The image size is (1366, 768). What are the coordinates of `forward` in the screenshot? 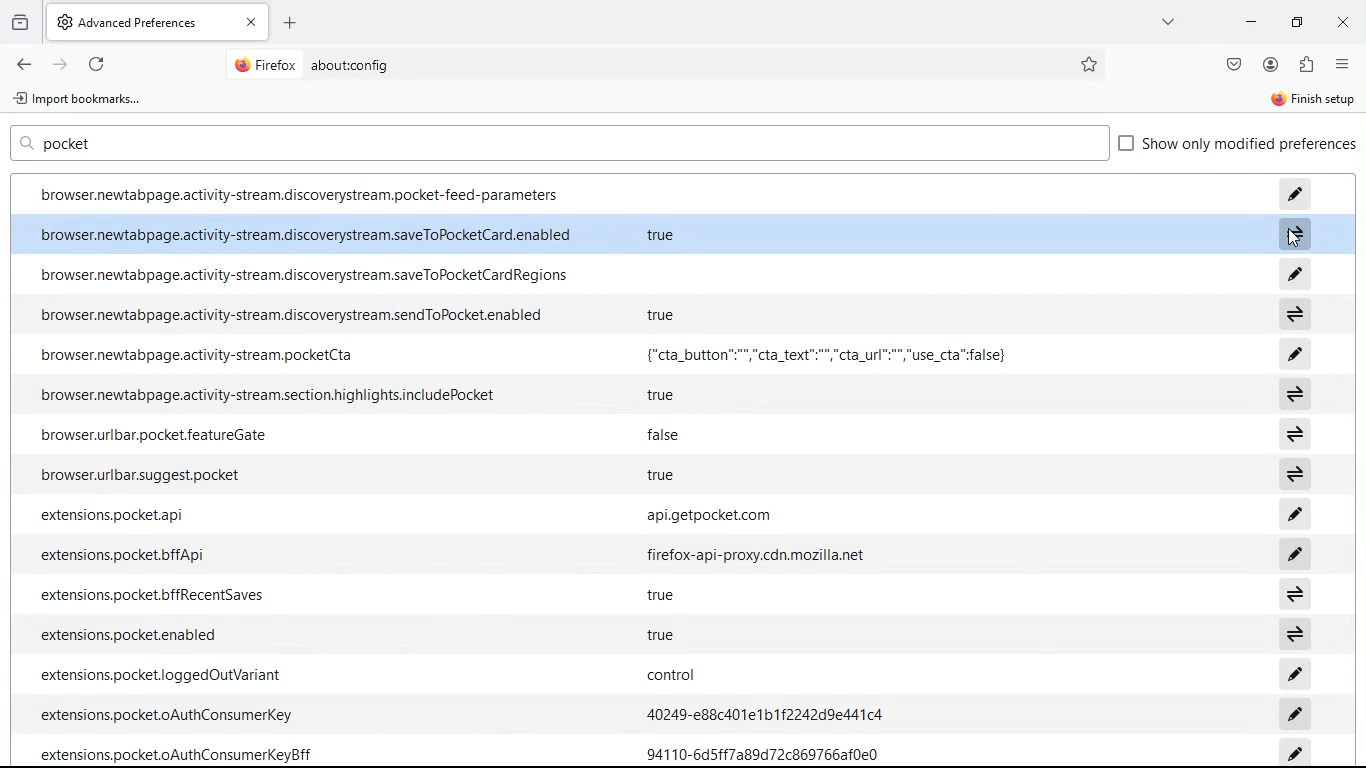 It's located at (62, 64).